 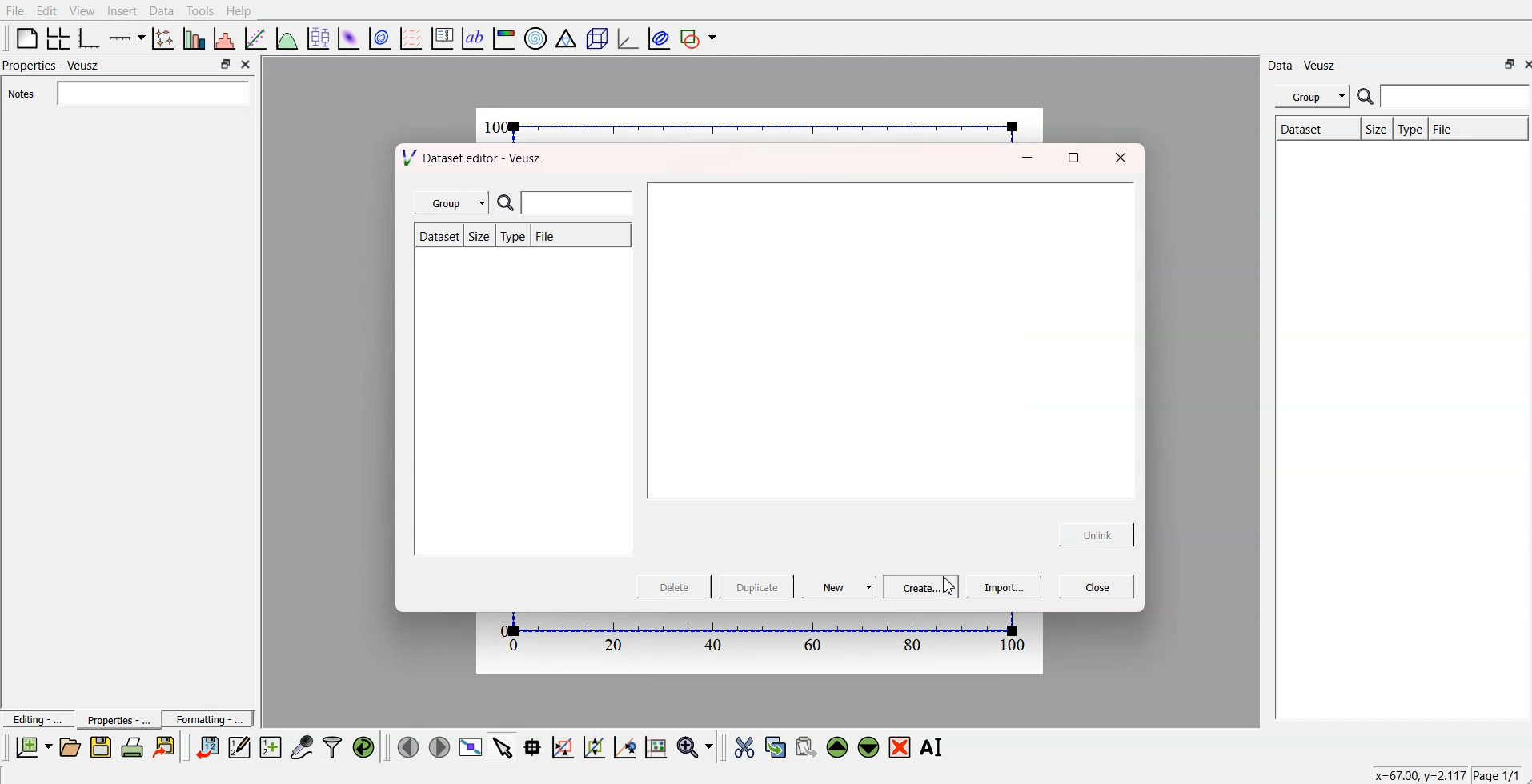 I want to click on Dataset, so click(x=1312, y=129).